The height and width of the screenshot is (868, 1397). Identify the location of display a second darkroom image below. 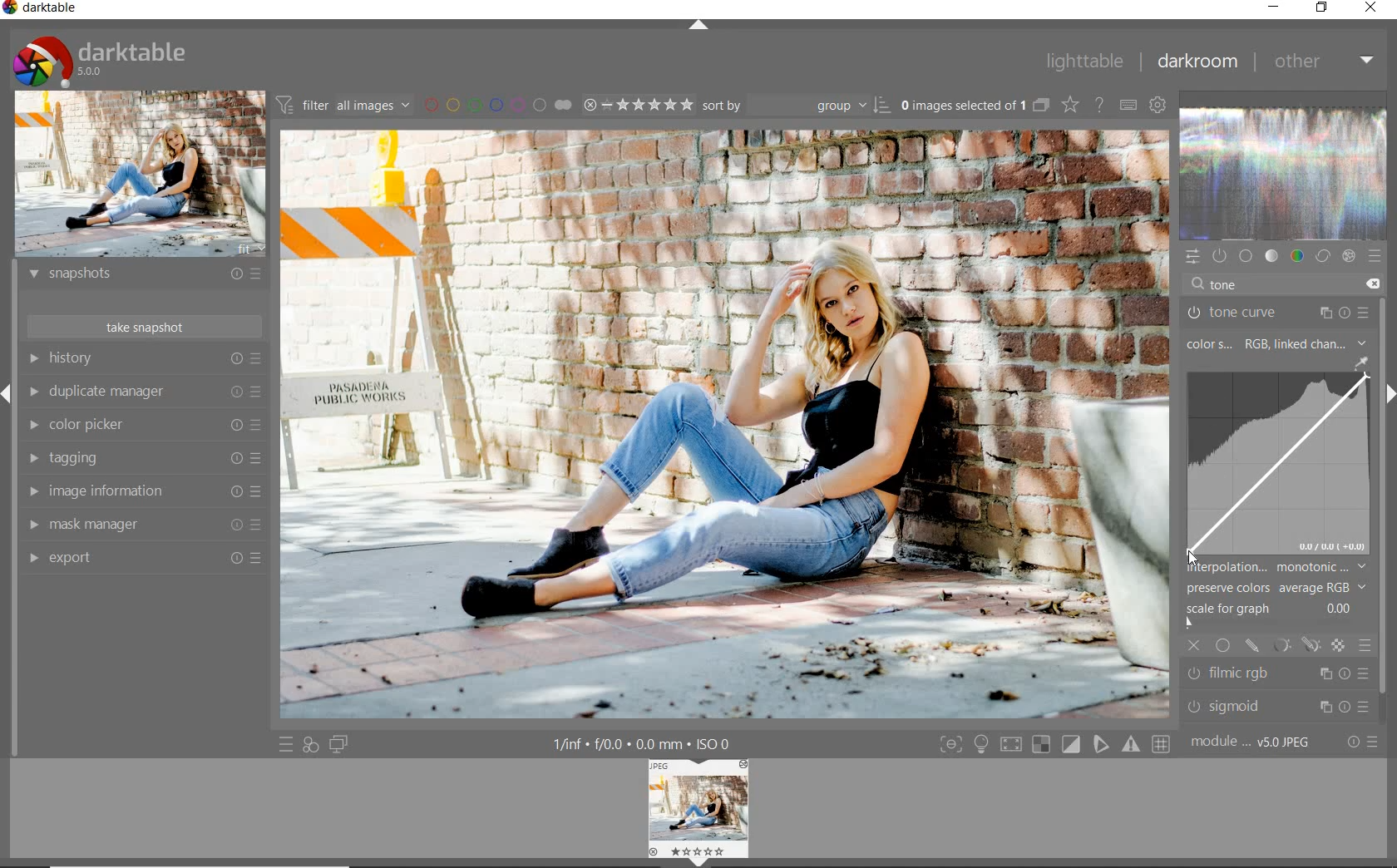
(341, 743).